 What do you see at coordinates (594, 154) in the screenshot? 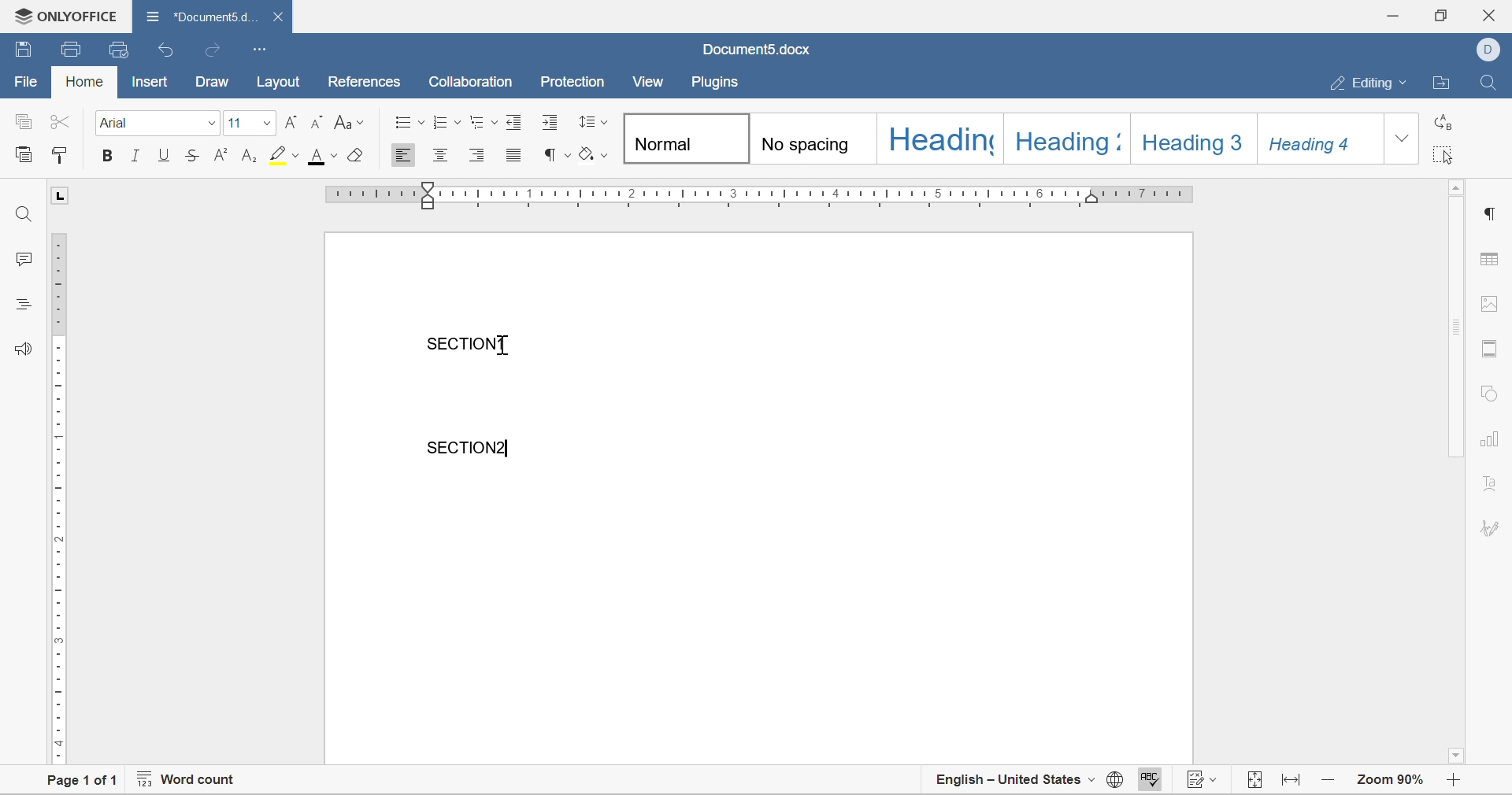
I see `shading` at bounding box center [594, 154].